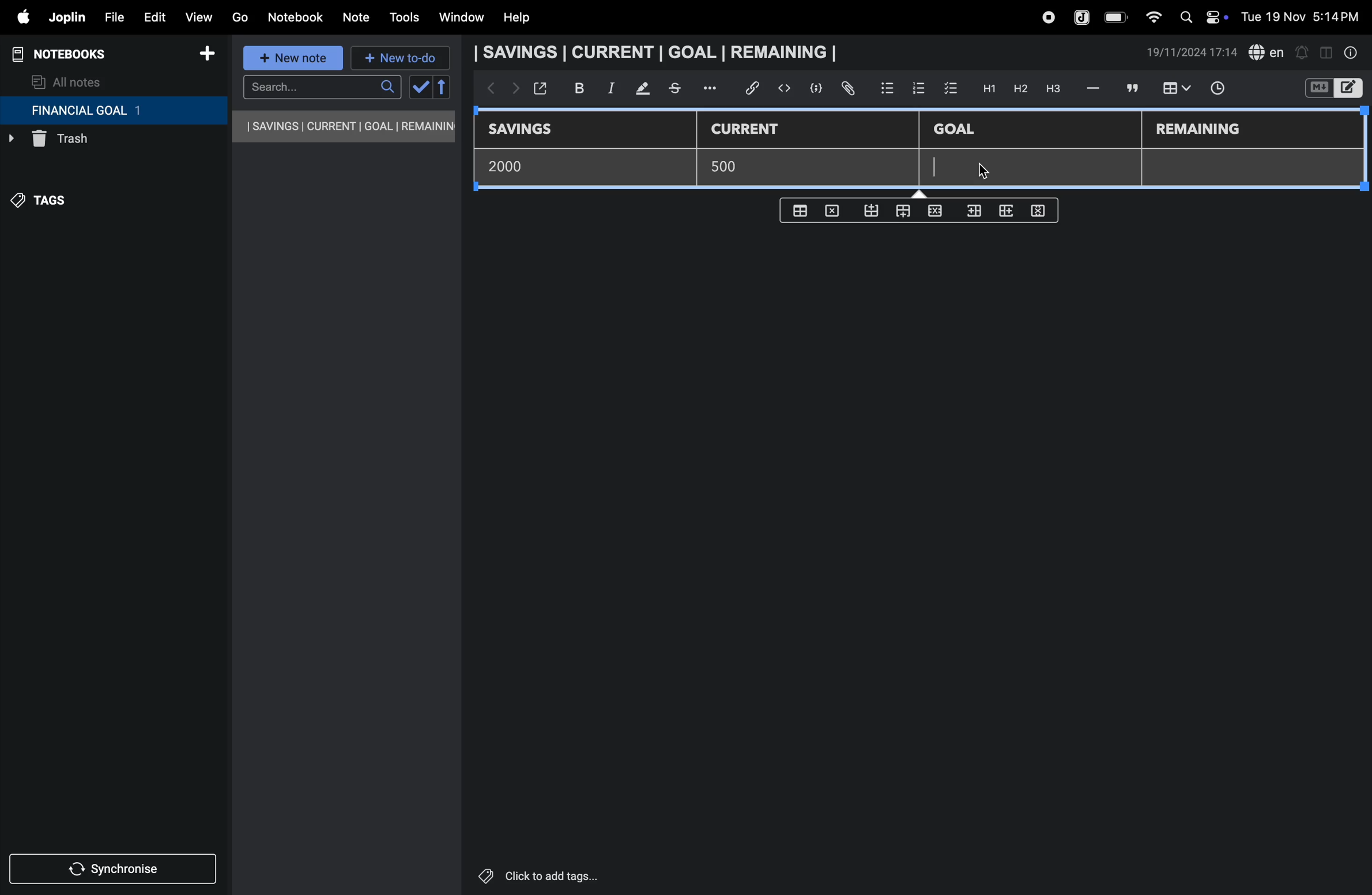  What do you see at coordinates (900, 212) in the screenshot?
I see `from top` at bounding box center [900, 212].